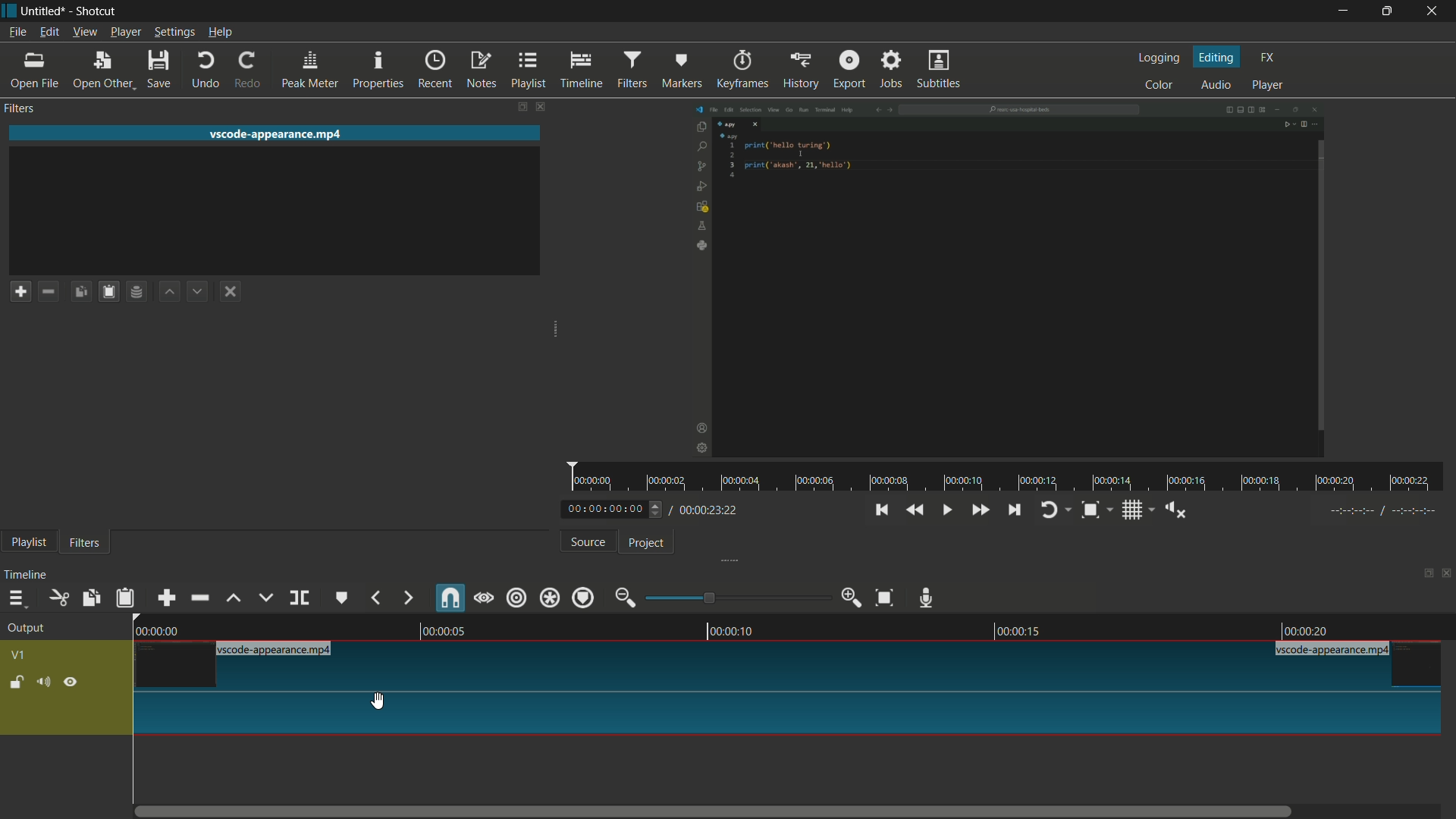 The height and width of the screenshot is (819, 1456). Describe the element at coordinates (588, 541) in the screenshot. I see `source` at that location.